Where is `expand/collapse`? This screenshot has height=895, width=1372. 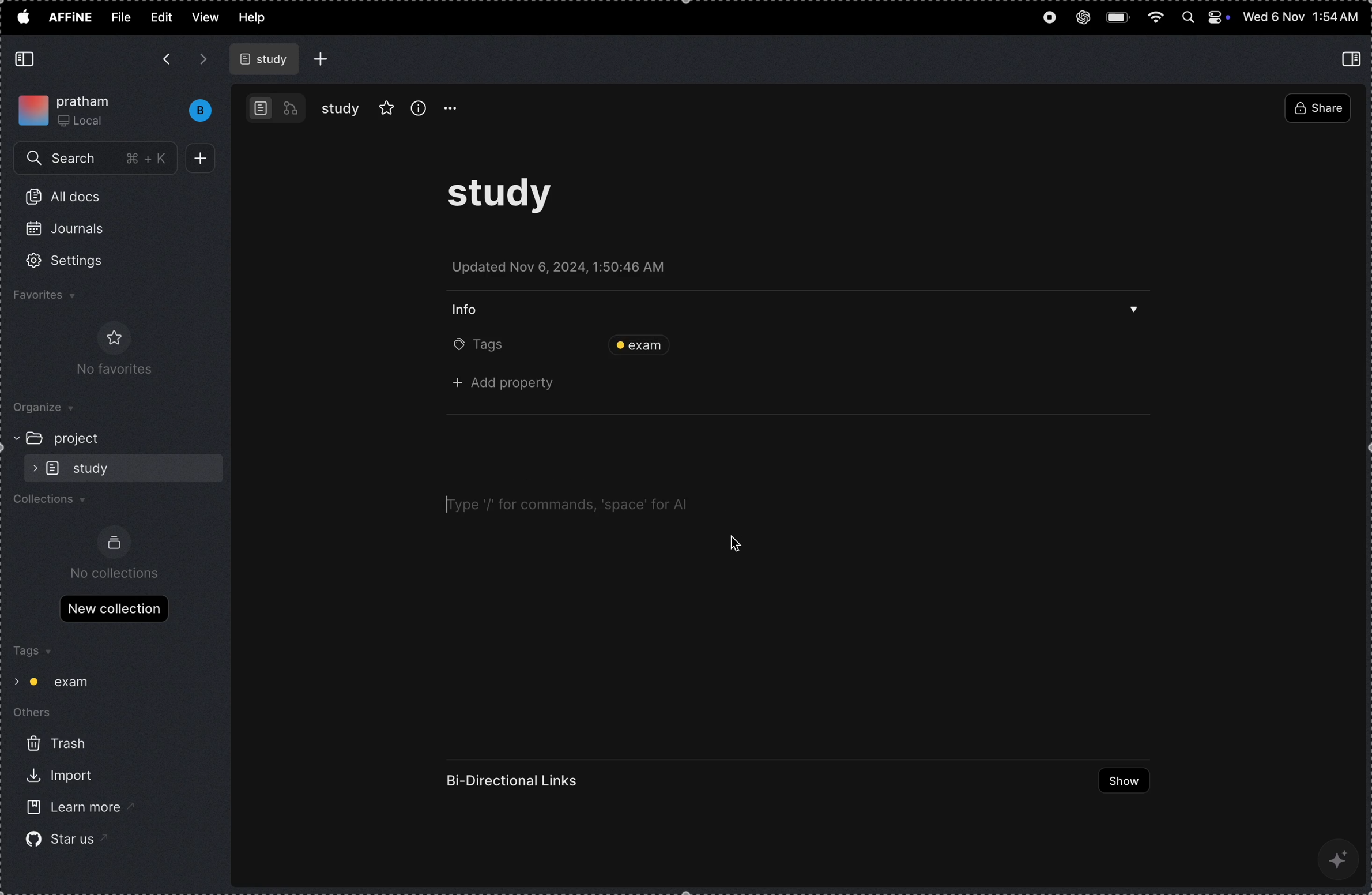 expand/collapse is located at coordinates (14, 679).